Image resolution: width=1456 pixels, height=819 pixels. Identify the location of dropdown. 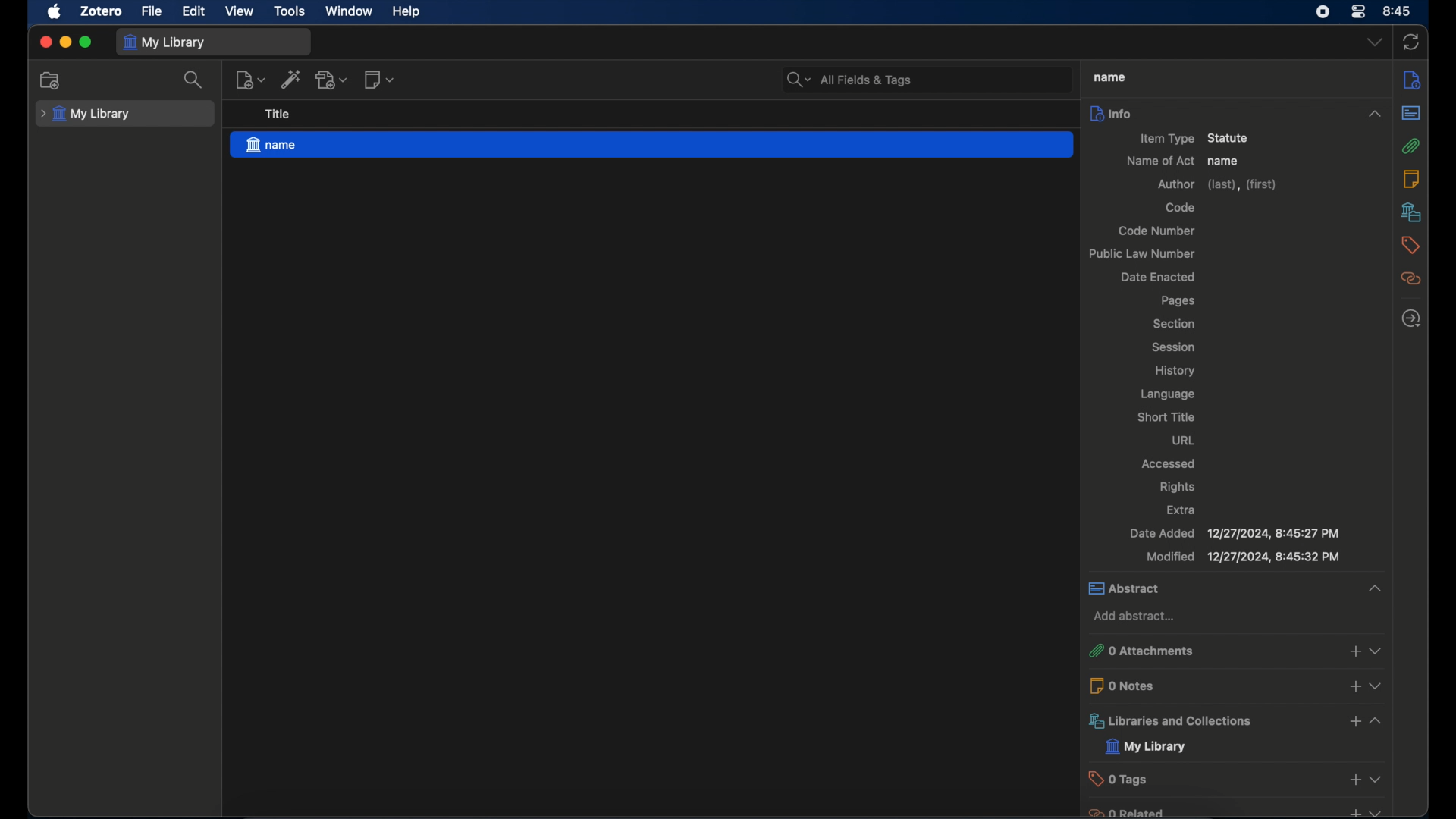
(1373, 779).